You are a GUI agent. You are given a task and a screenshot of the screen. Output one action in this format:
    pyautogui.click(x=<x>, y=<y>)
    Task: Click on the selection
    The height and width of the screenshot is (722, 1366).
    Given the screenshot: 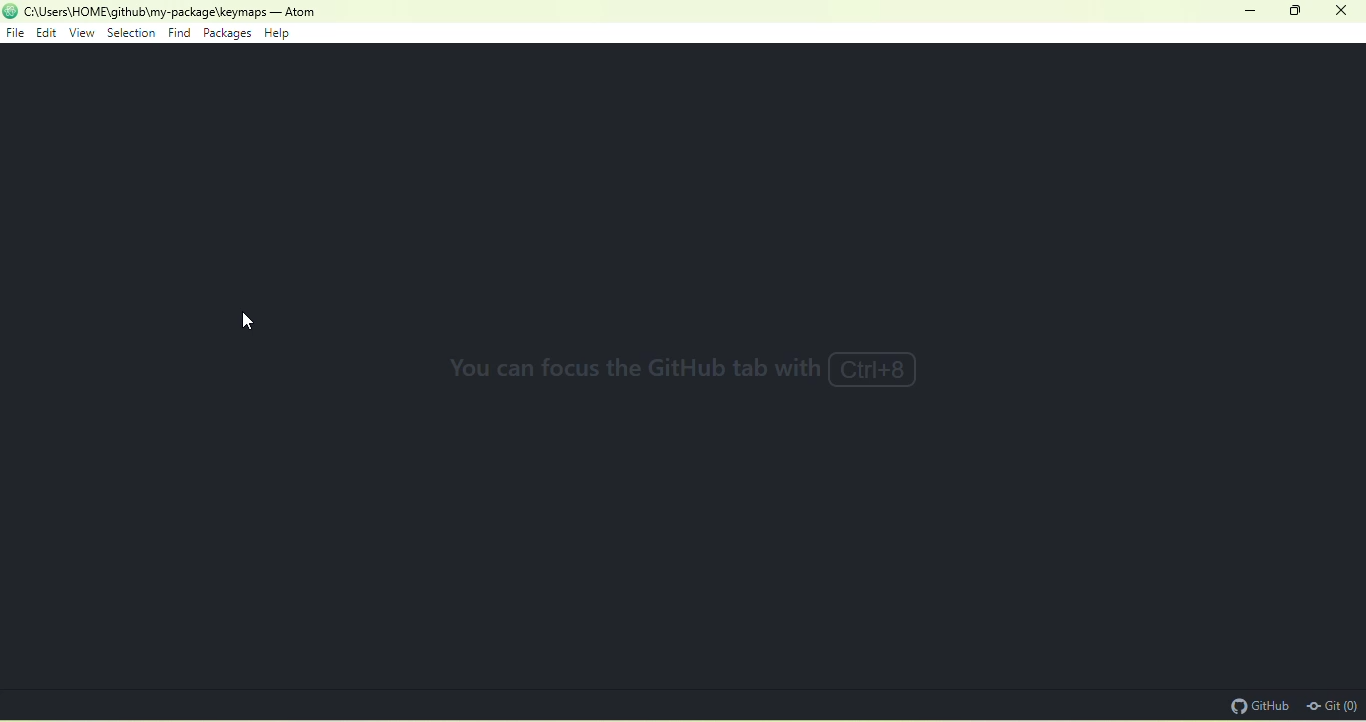 What is the action you would take?
    pyautogui.click(x=131, y=33)
    